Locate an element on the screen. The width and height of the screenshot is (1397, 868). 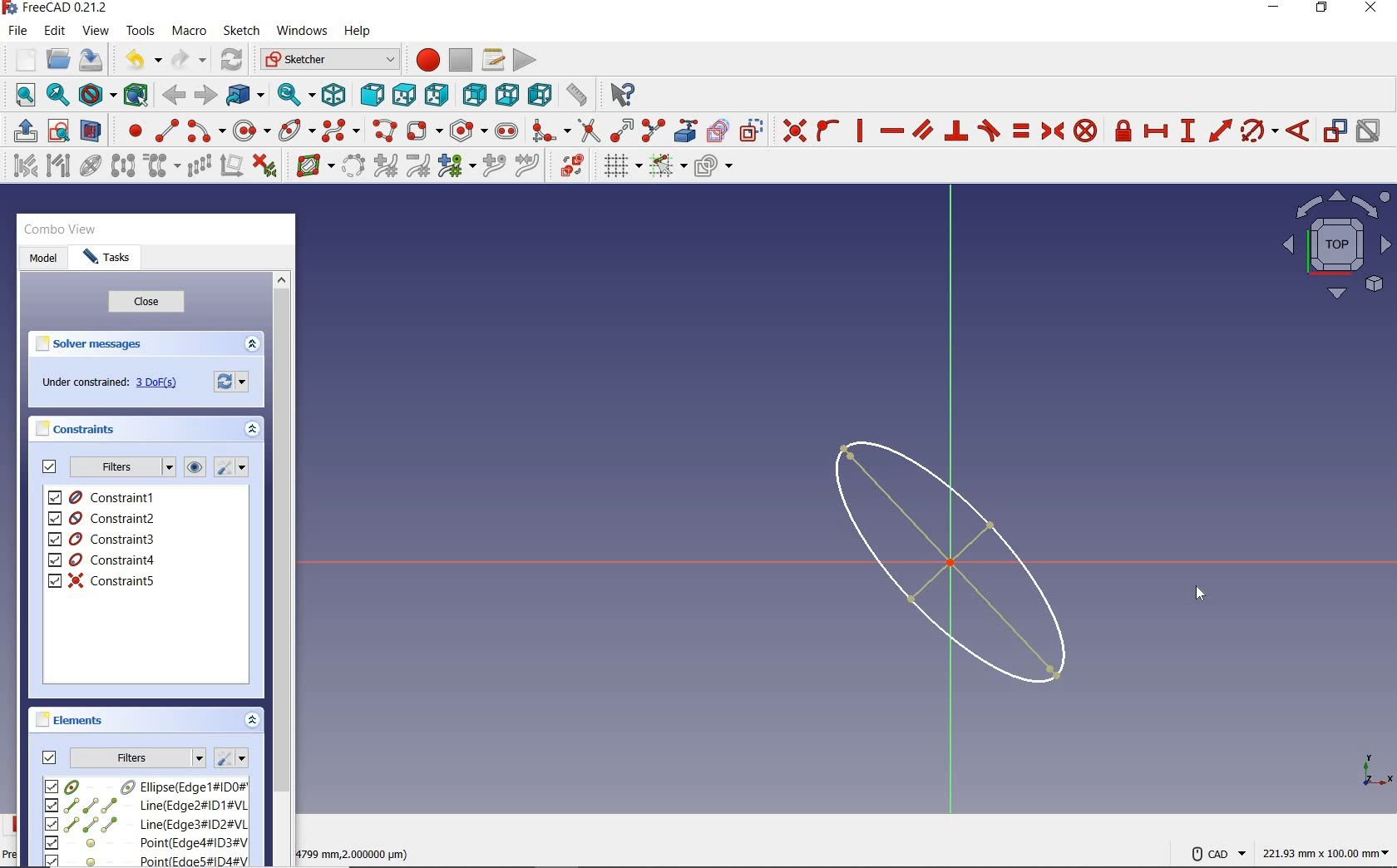
constraints is located at coordinates (80, 428).